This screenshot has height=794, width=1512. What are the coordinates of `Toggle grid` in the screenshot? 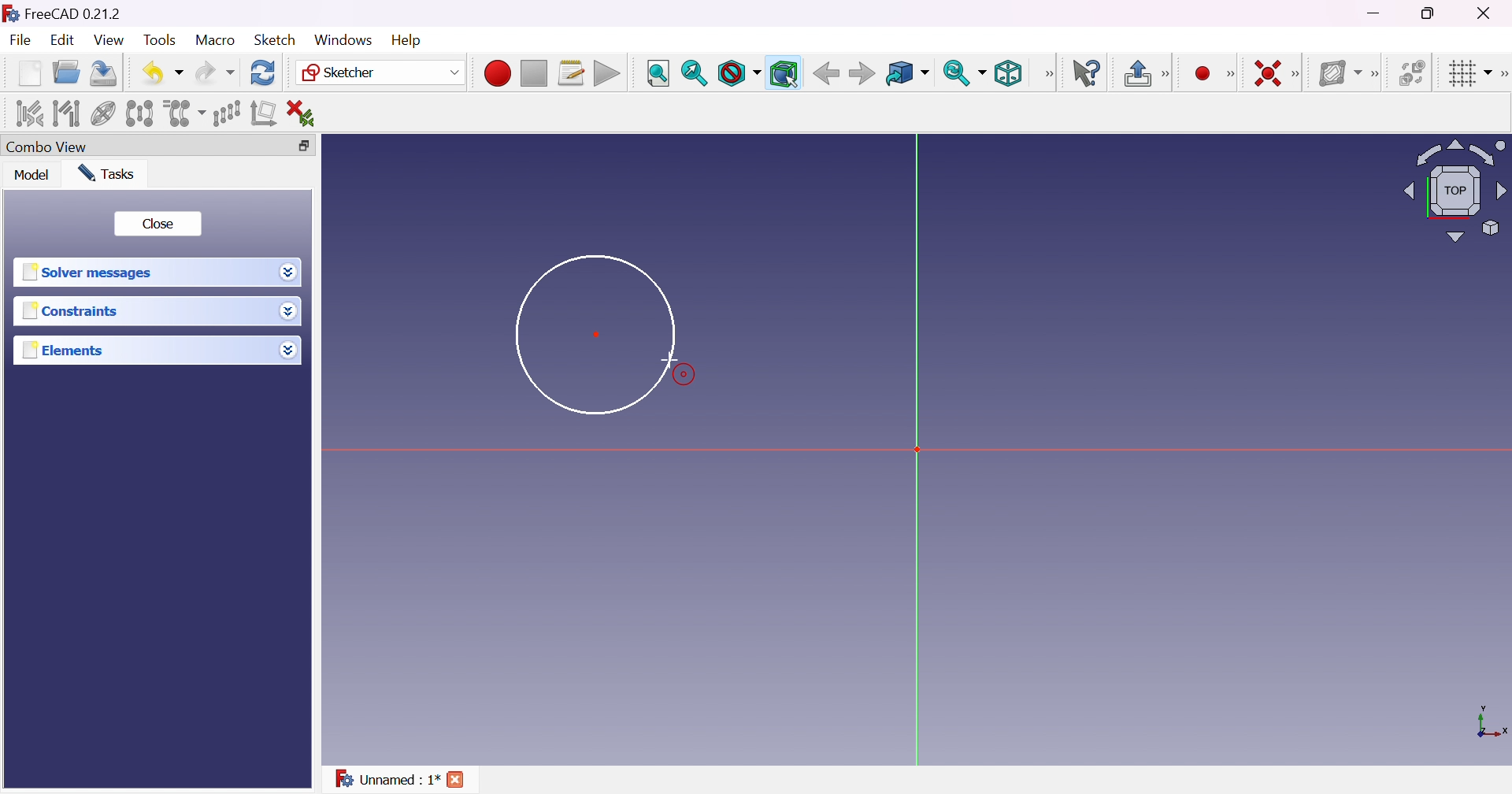 It's located at (1469, 74).